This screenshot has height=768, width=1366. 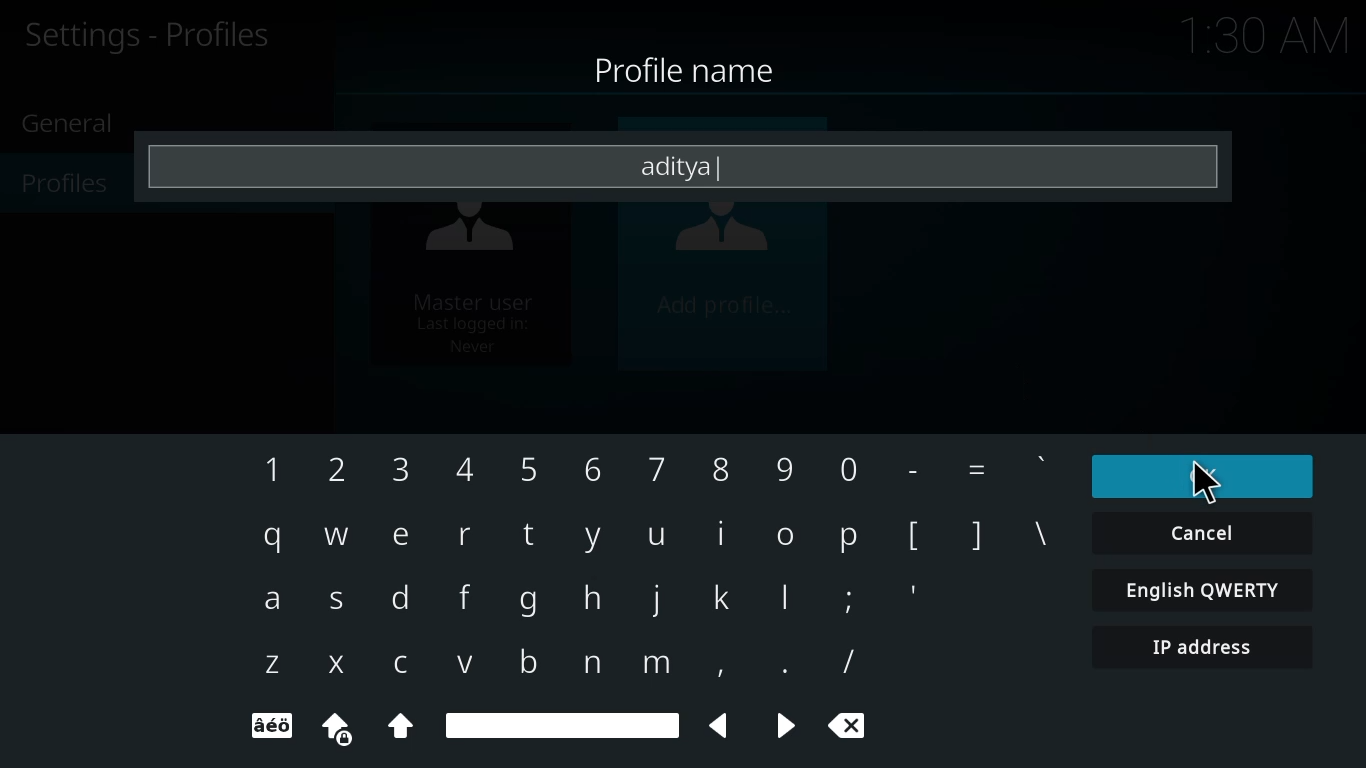 What do you see at coordinates (1209, 648) in the screenshot?
I see `ip address` at bounding box center [1209, 648].